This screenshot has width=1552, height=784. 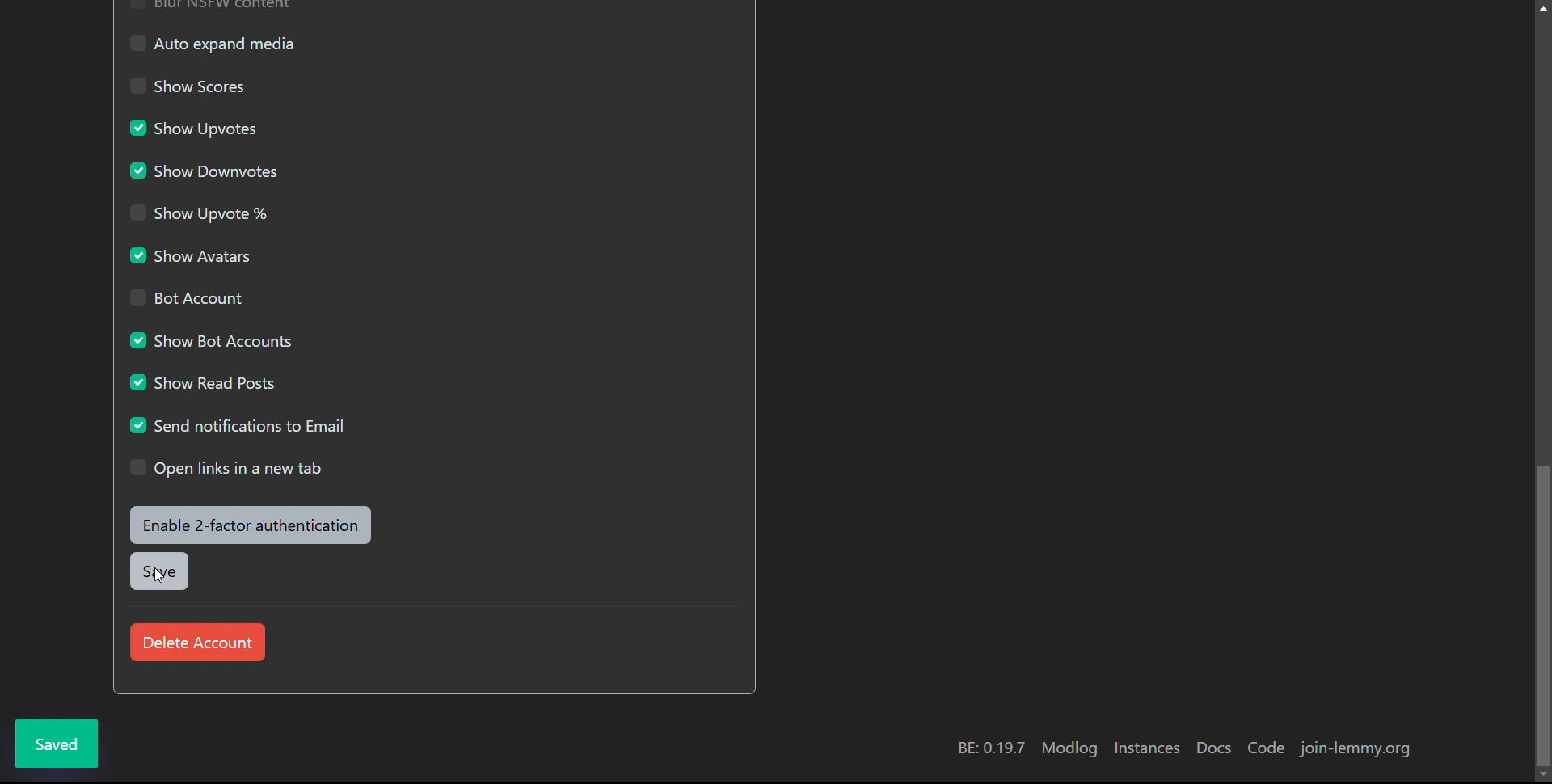 I want to click on auto expand media, so click(x=212, y=43).